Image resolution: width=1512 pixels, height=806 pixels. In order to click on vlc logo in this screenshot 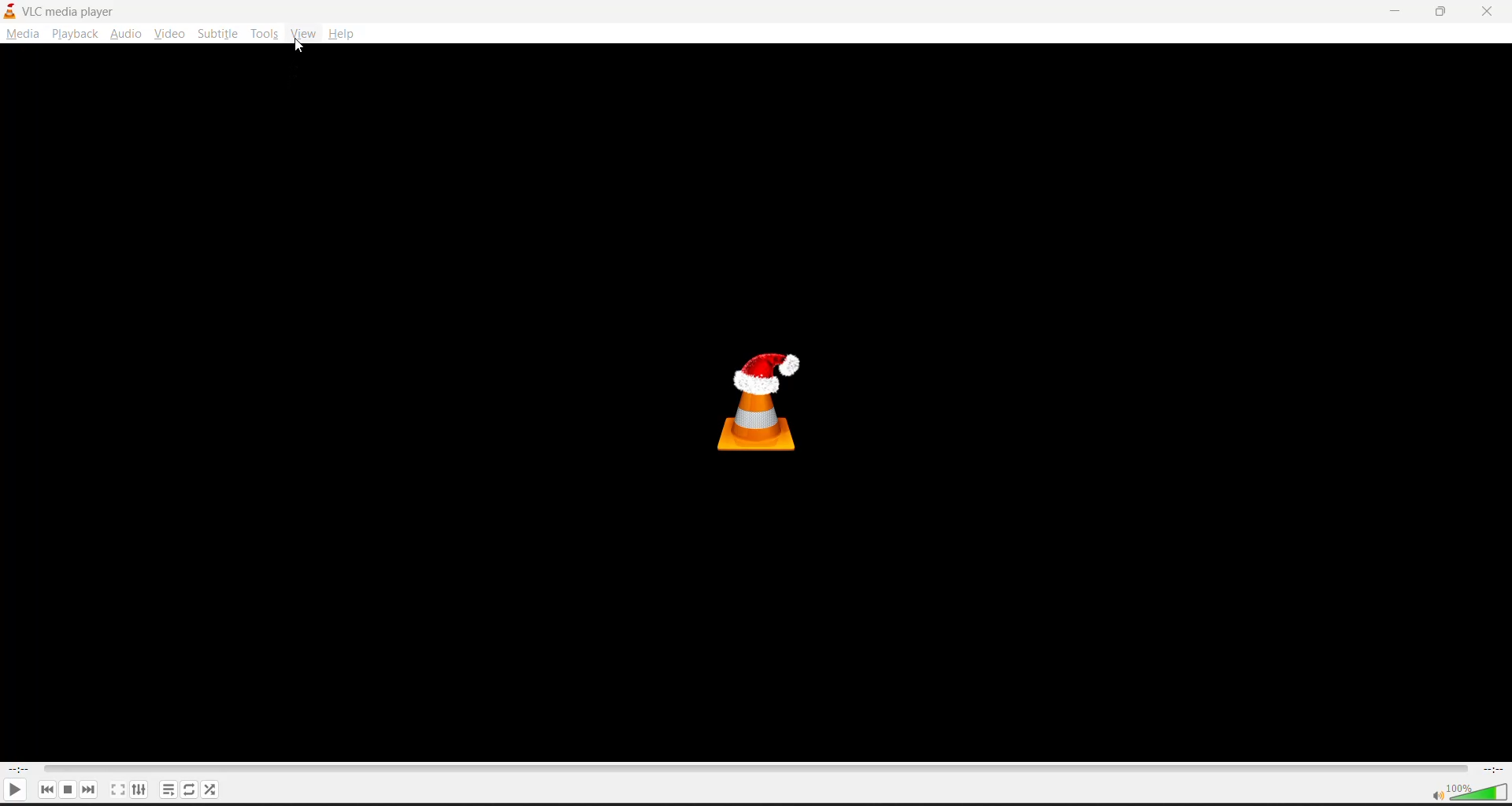, I will do `click(11, 12)`.